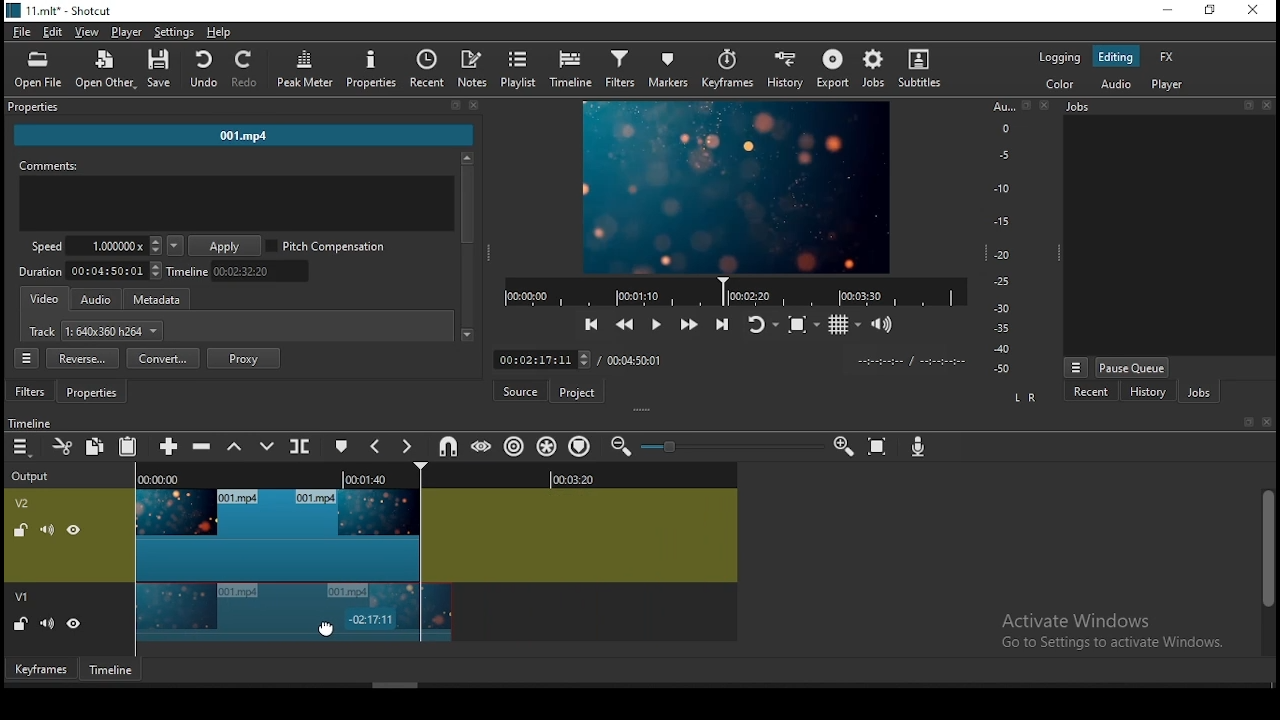 This screenshot has height=720, width=1280. I want to click on file, so click(20, 31).